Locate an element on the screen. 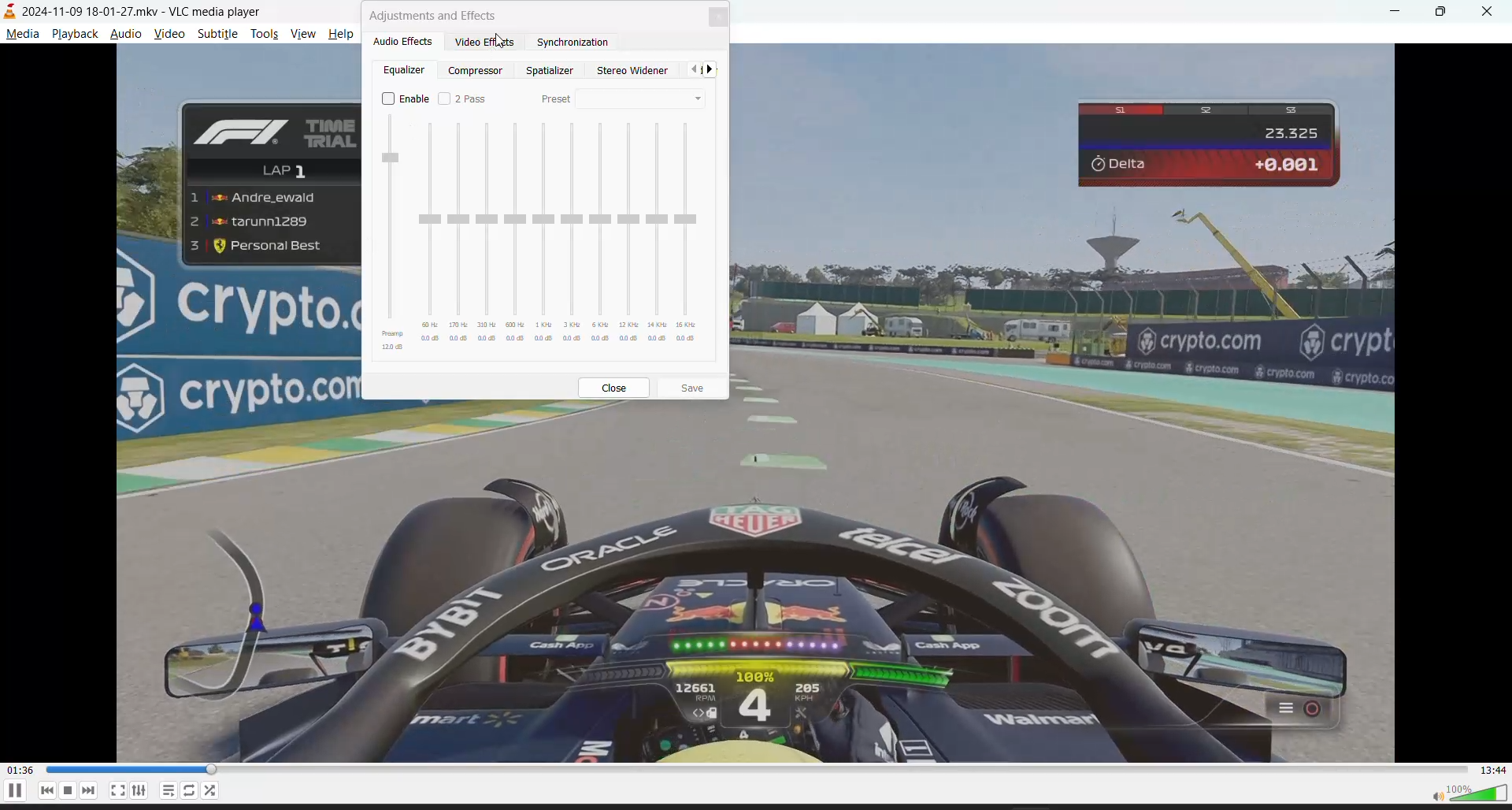 The width and height of the screenshot is (1512, 810). stop is located at coordinates (69, 792).